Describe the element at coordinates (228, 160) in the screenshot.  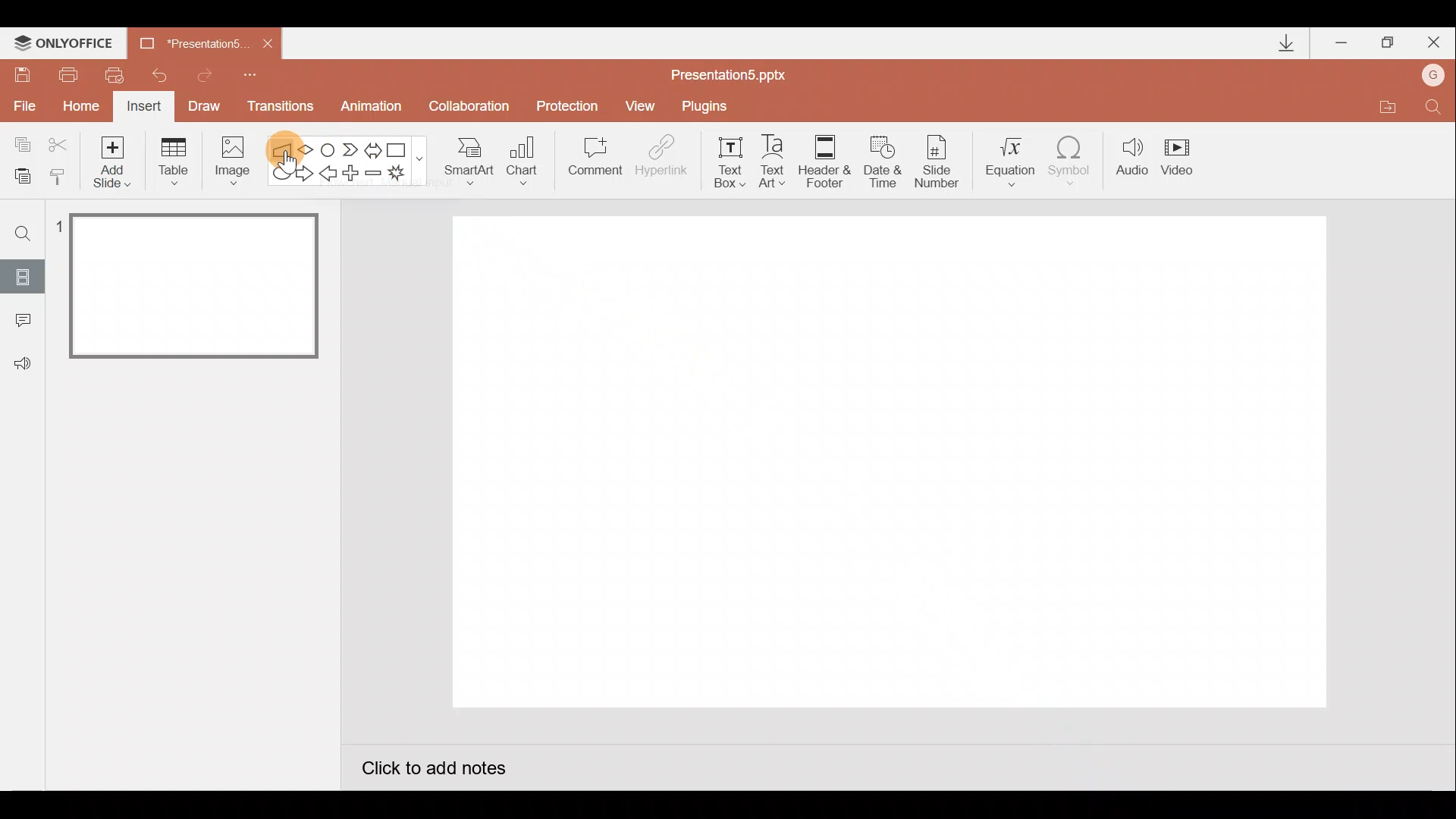
I see `Image` at that location.